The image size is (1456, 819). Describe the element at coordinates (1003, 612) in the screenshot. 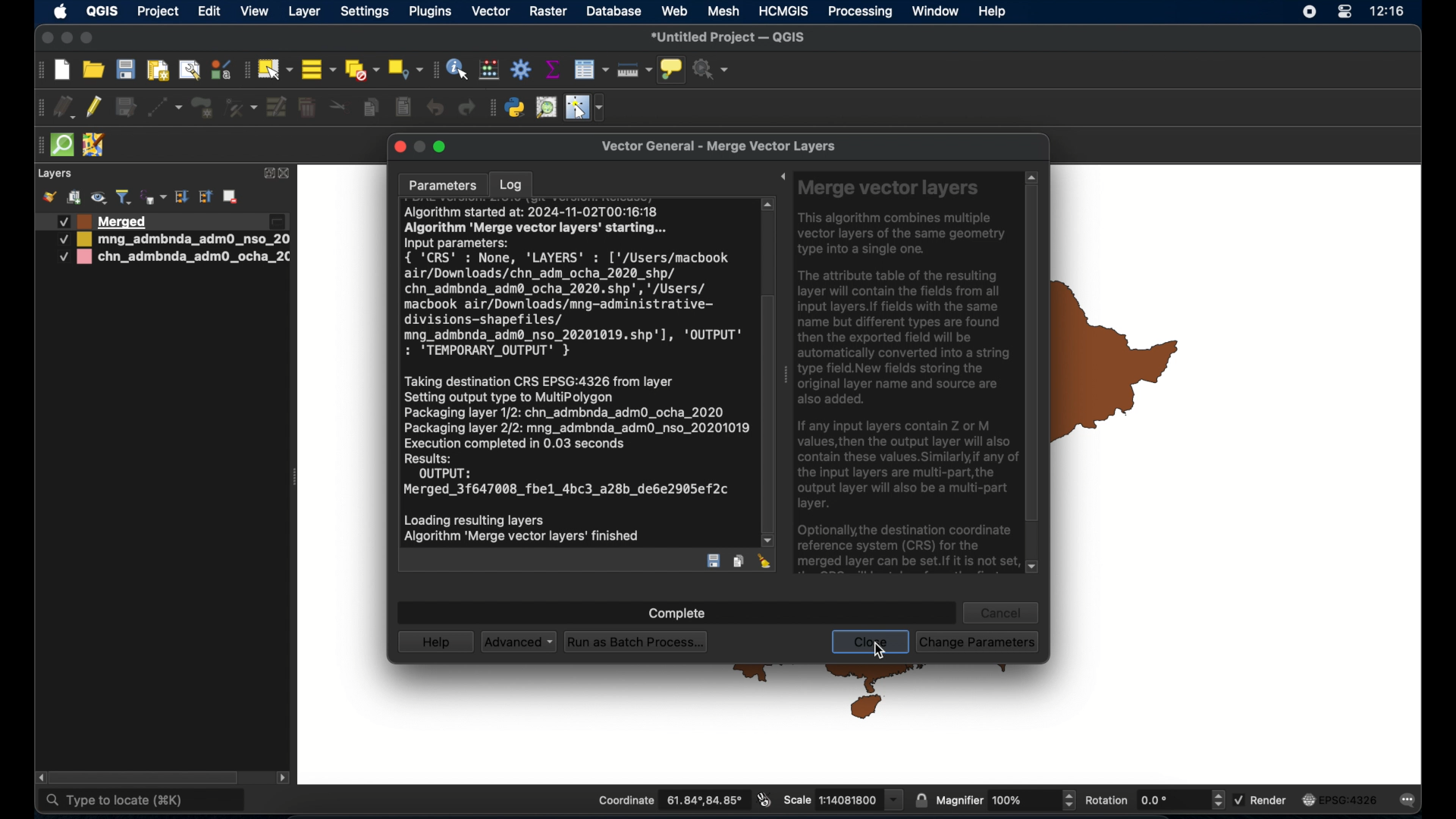

I see `cancel` at that location.